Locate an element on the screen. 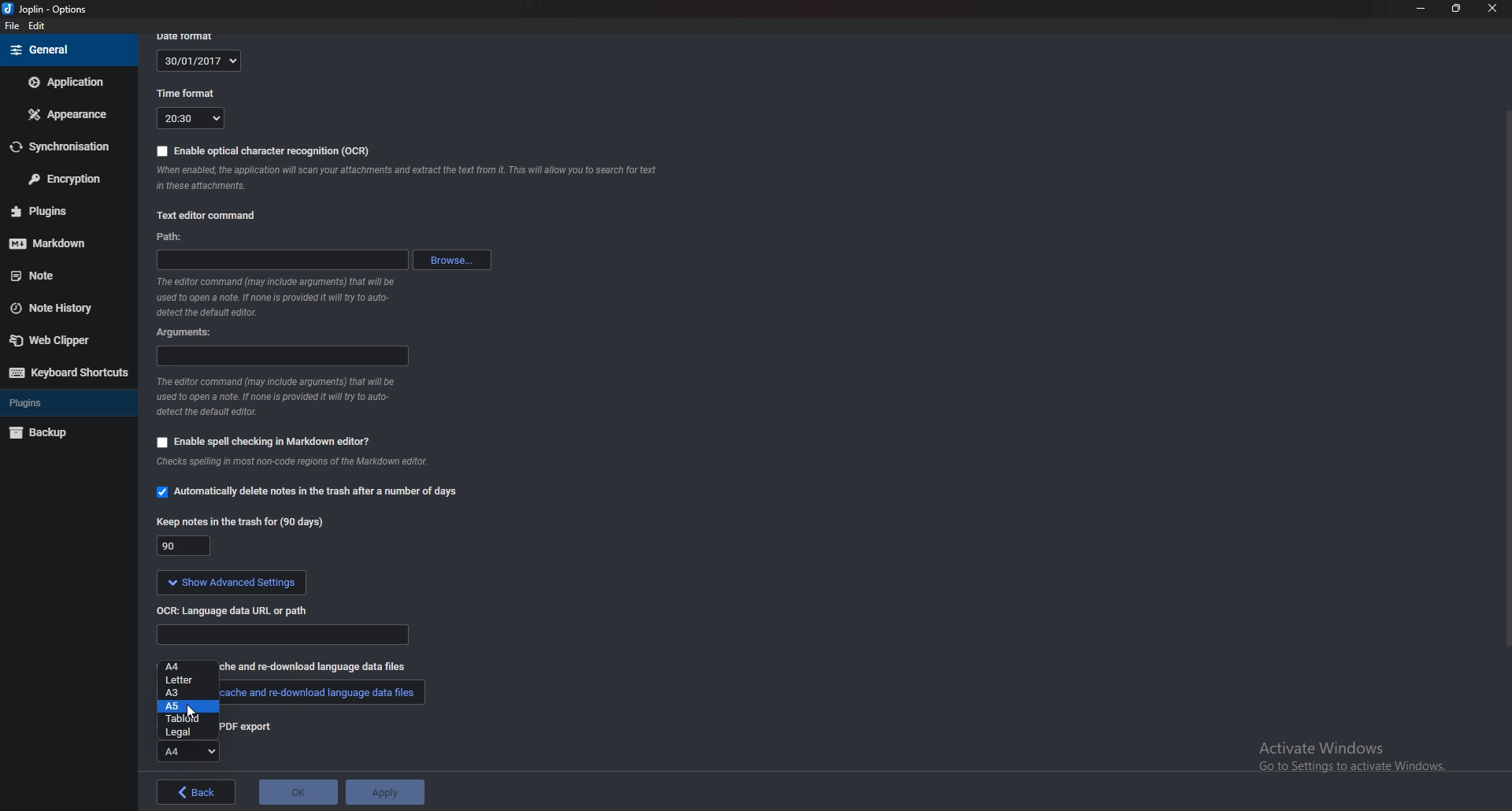 The image size is (1512, 811). A4 is located at coordinates (190, 667).